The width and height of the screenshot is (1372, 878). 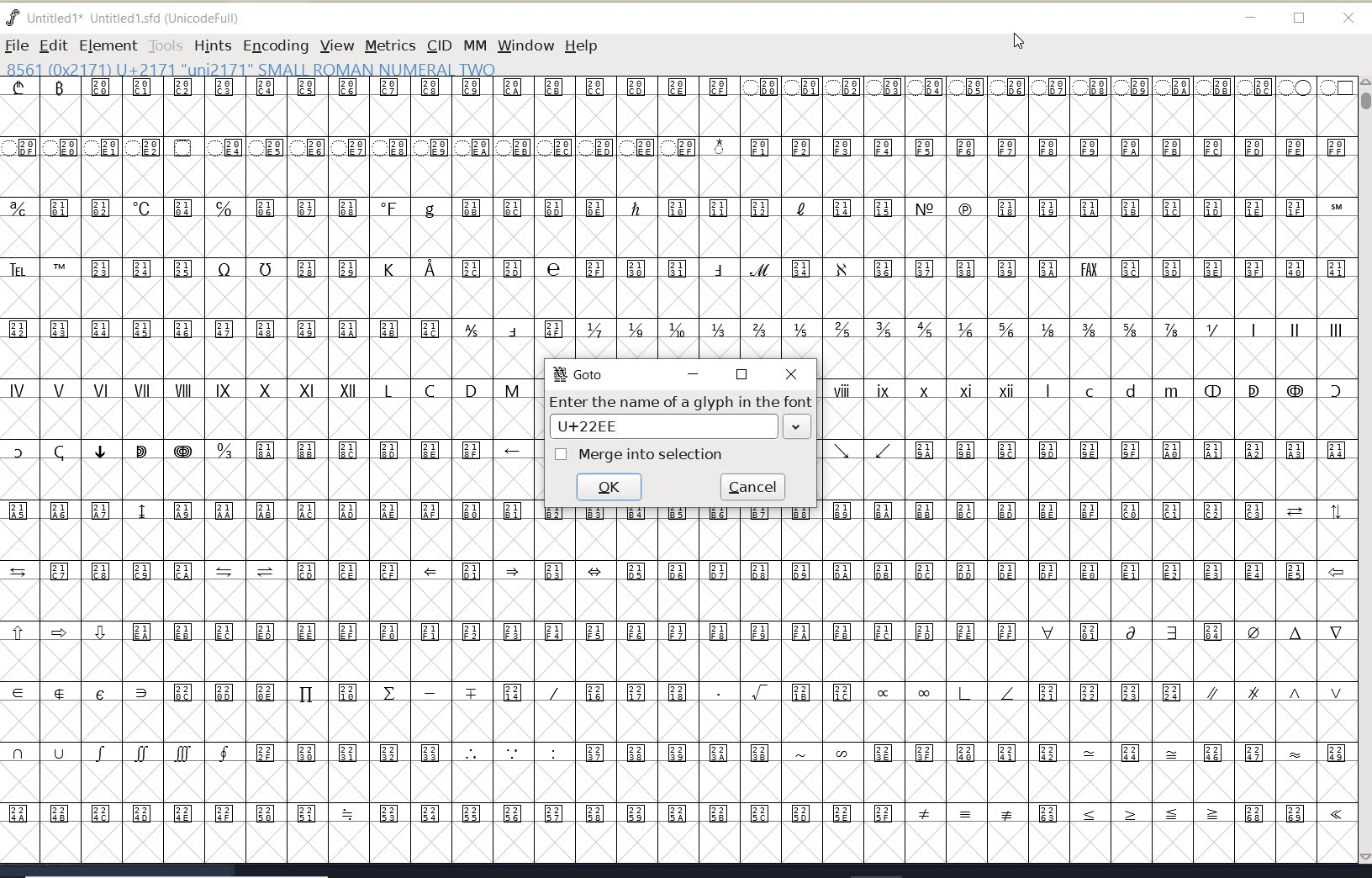 What do you see at coordinates (794, 374) in the screenshot?
I see `CLOSE` at bounding box center [794, 374].